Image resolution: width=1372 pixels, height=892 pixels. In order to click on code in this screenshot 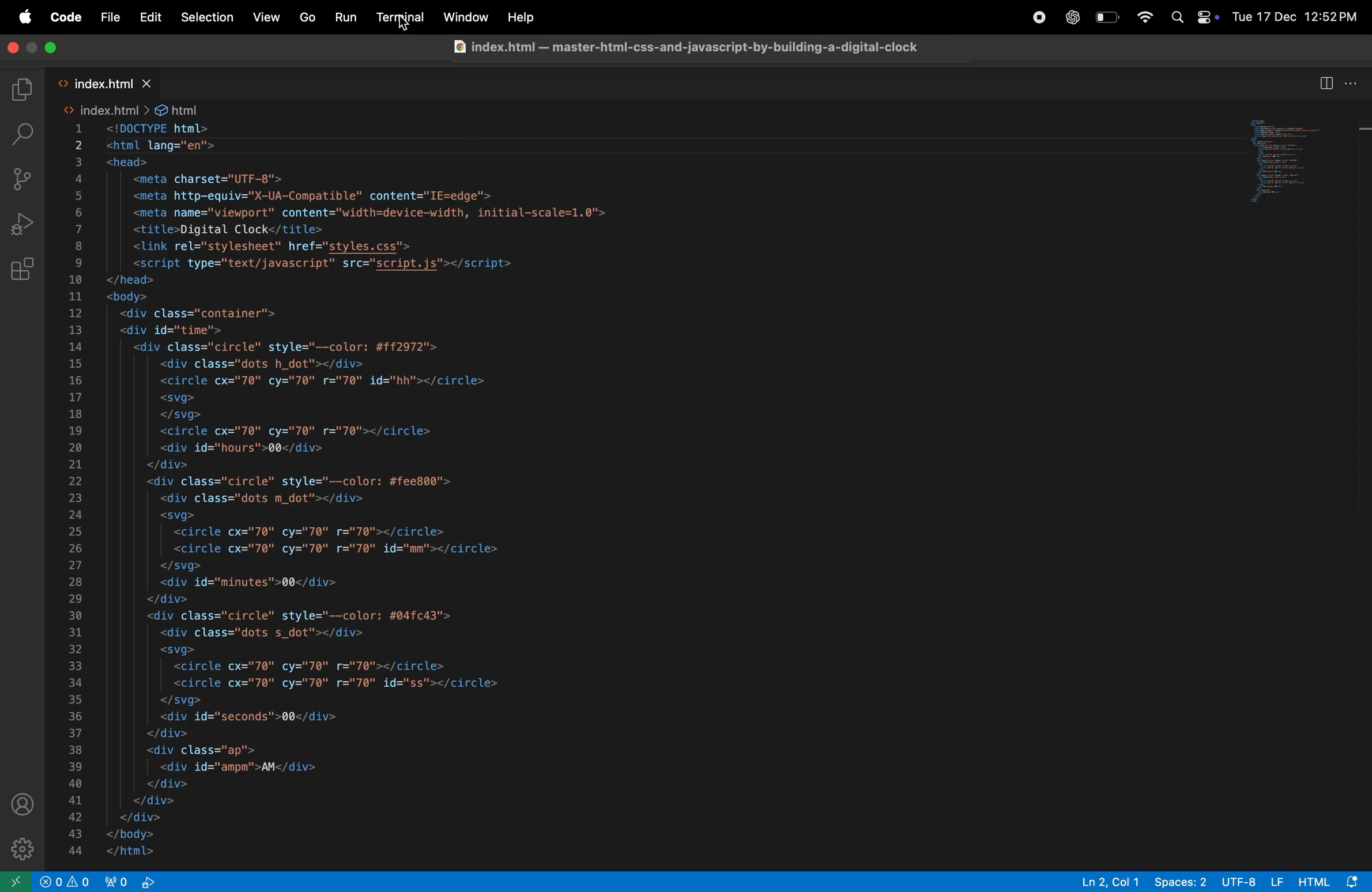, I will do `click(63, 17)`.